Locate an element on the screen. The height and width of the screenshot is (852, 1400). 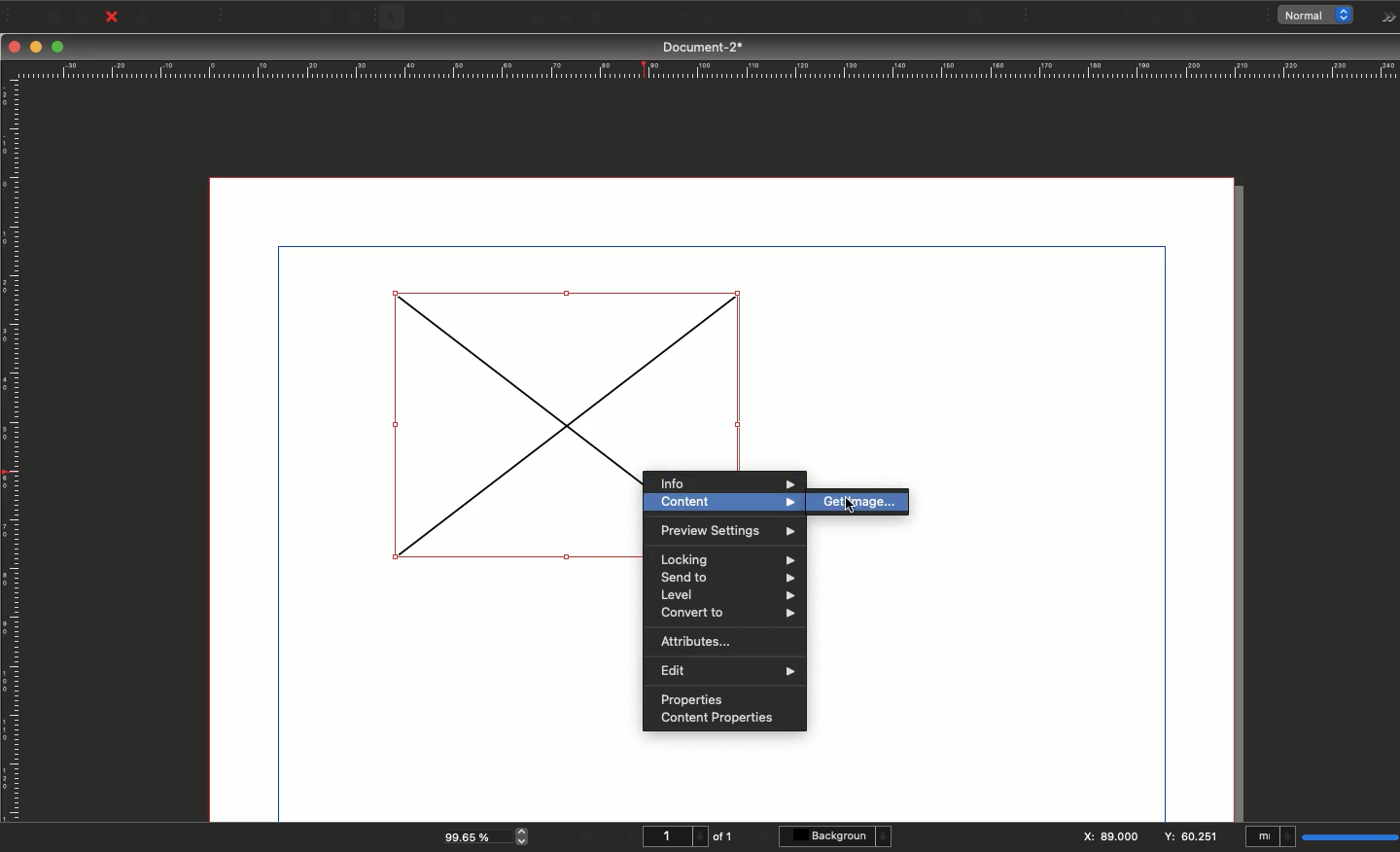
Render frame is located at coordinates (477, 18).